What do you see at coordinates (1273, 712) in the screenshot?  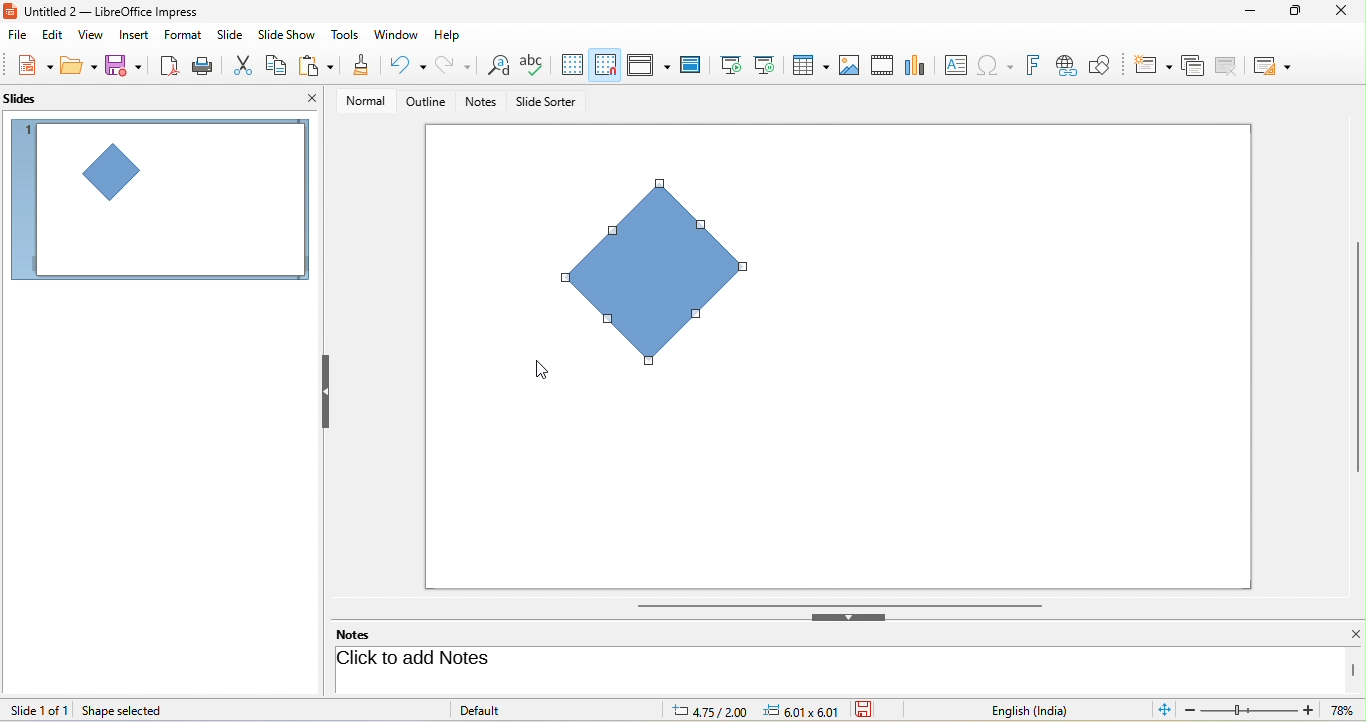 I see `zoom` at bounding box center [1273, 712].